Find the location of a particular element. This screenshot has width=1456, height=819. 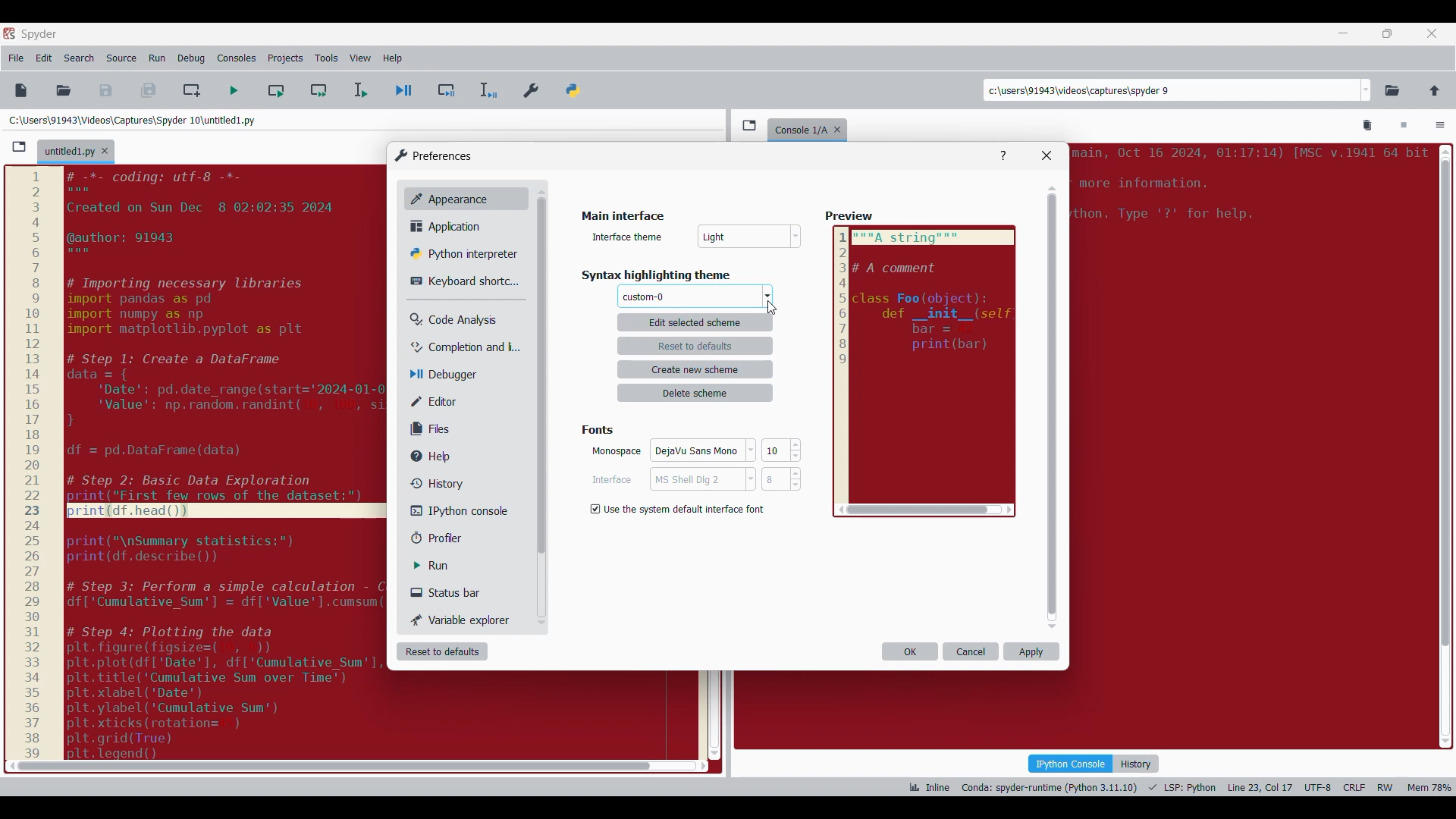

reset to defaults is located at coordinates (695, 345).